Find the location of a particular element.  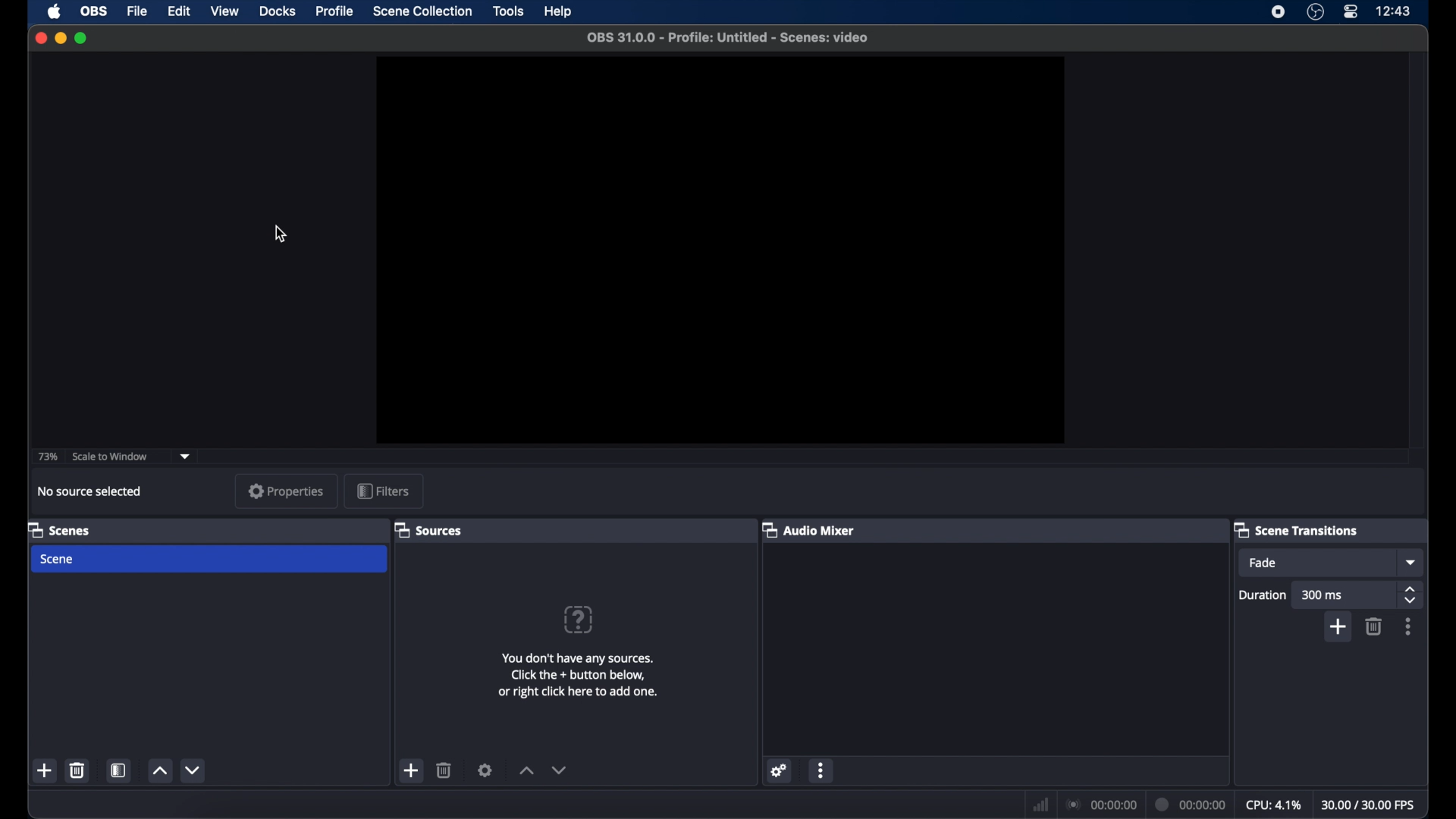

tools is located at coordinates (509, 11).